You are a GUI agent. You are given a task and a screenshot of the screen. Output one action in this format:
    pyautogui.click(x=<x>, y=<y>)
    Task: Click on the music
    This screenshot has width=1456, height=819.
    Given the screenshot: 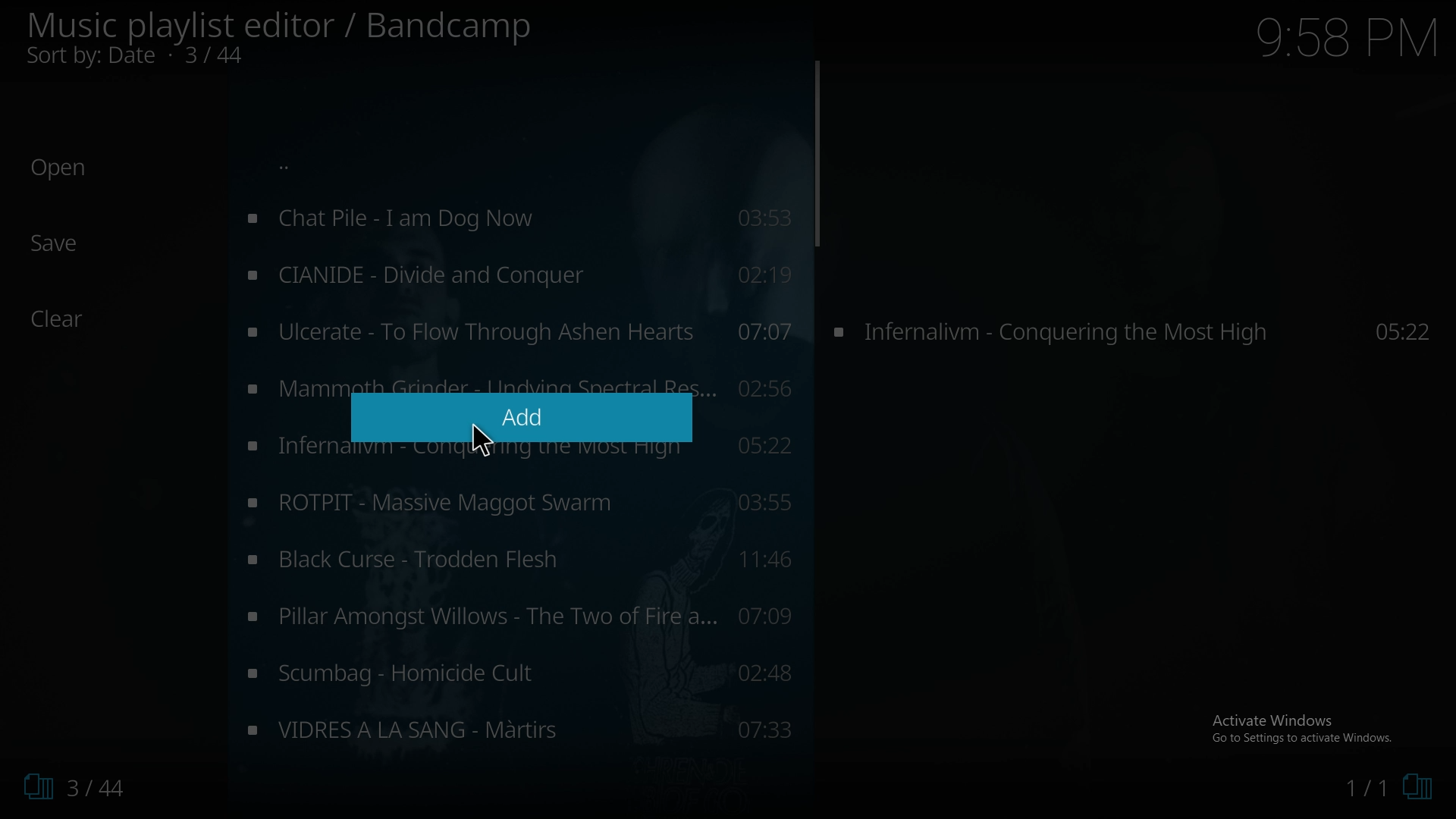 What is the action you would take?
    pyautogui.click(x=521, y=331)
    